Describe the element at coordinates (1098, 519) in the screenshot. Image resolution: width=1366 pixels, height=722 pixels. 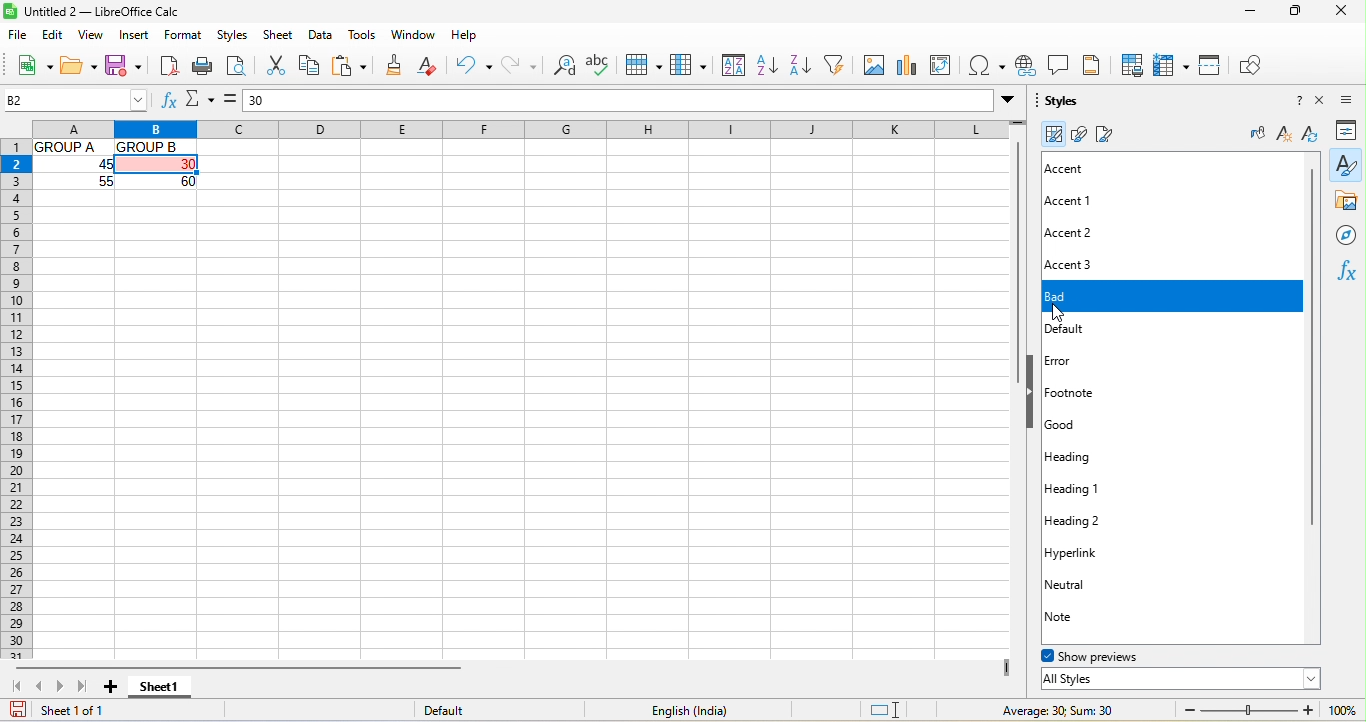
I see `headings2` at that location.